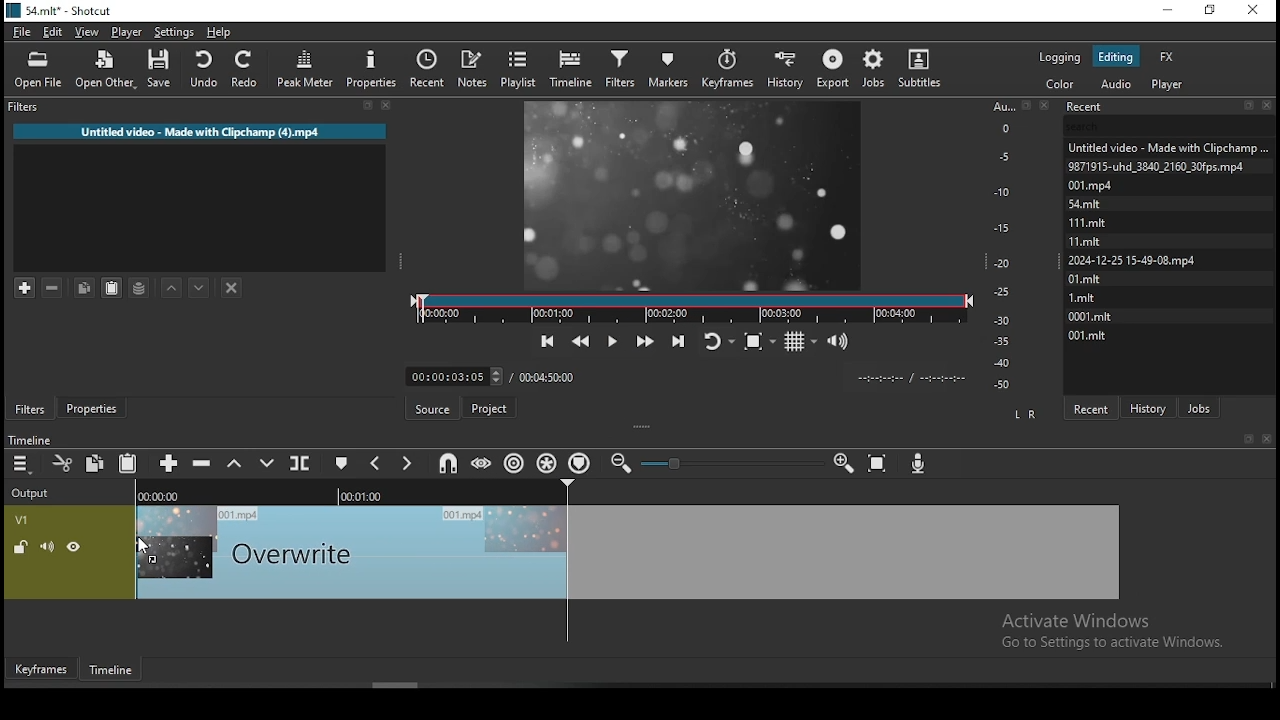 Image resolution: width=1280 pixels, height=720 pixels. I want to click on history, so click(788, 69).